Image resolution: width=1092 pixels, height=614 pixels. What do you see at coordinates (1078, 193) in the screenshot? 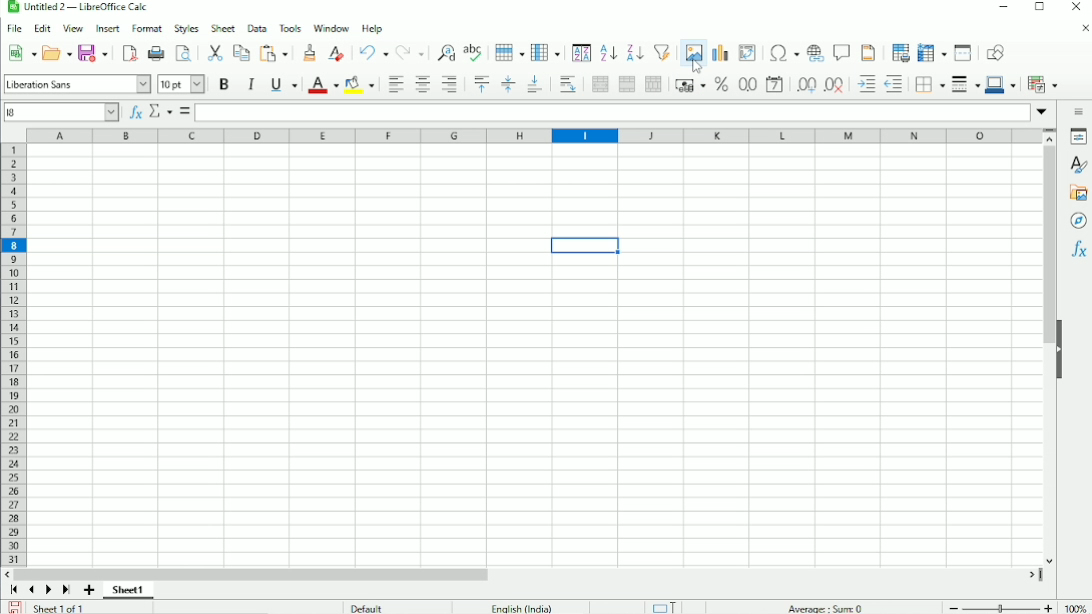
I see `Gallery` at bounding box center [1078, 193].